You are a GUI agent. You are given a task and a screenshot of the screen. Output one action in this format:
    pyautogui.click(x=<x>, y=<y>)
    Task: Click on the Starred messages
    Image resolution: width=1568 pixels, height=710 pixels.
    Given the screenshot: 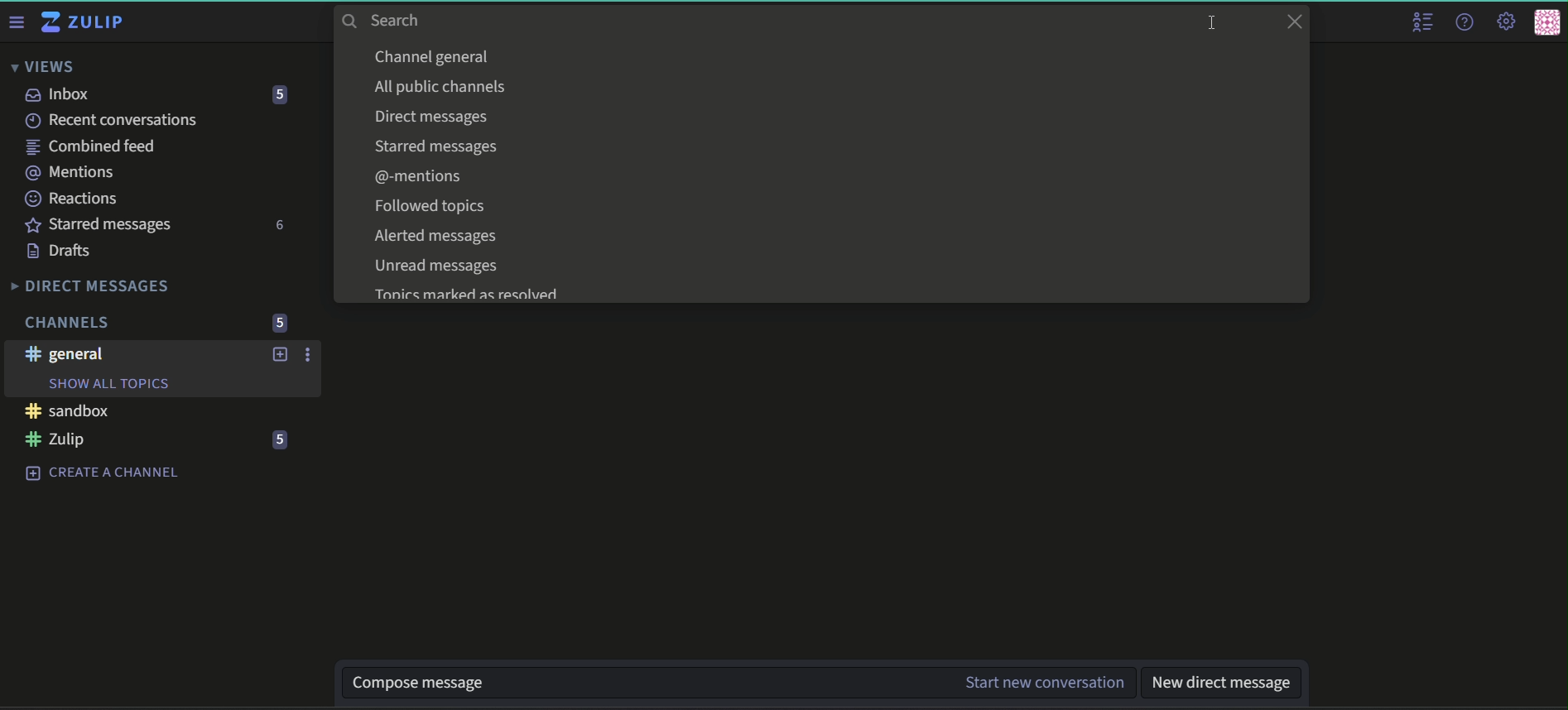 What is the action you would take?
    pyautogui.click(x=102, y=223)
    